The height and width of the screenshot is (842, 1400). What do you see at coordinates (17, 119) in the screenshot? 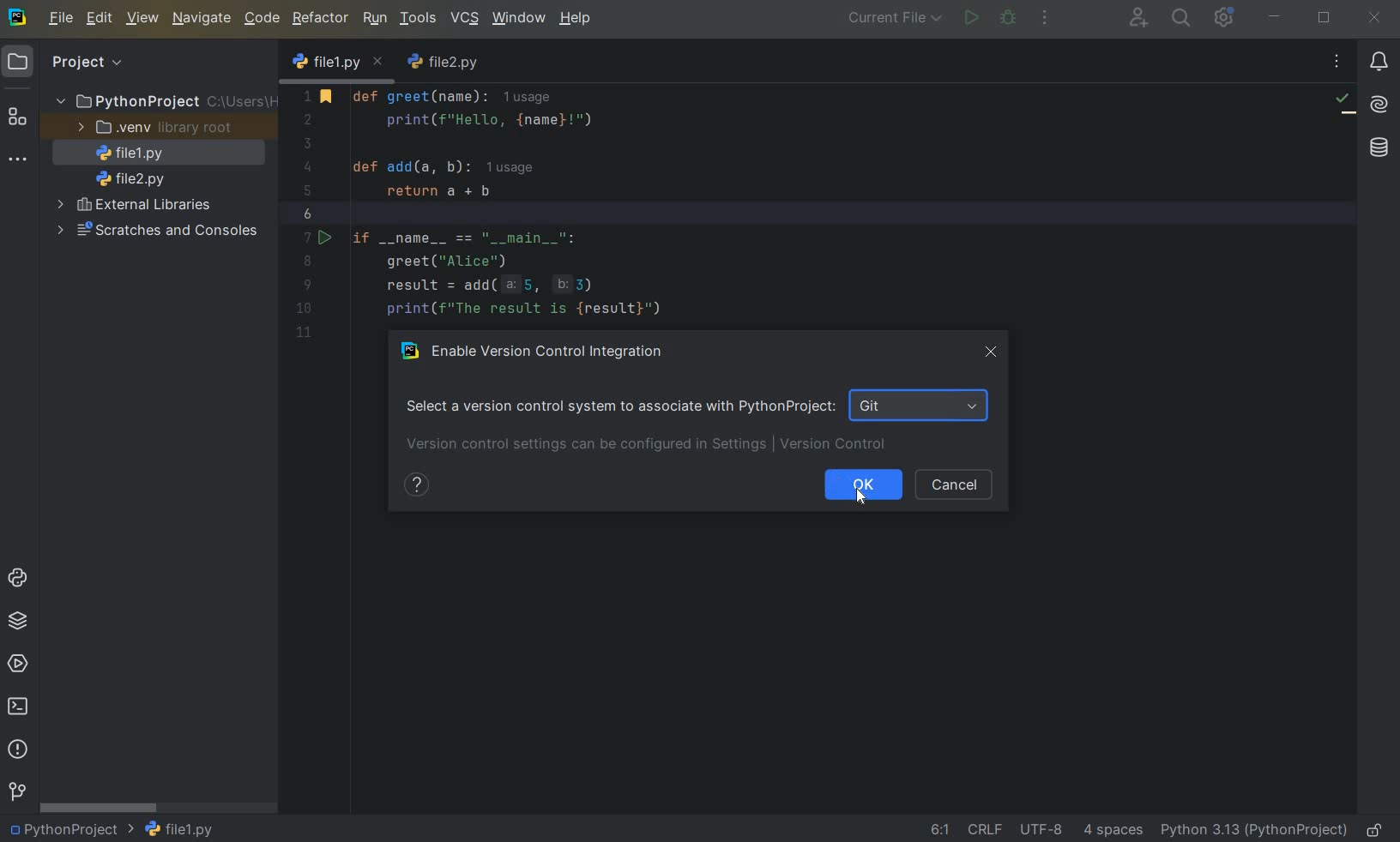
I see `structure` at bounding box center [17, 119].